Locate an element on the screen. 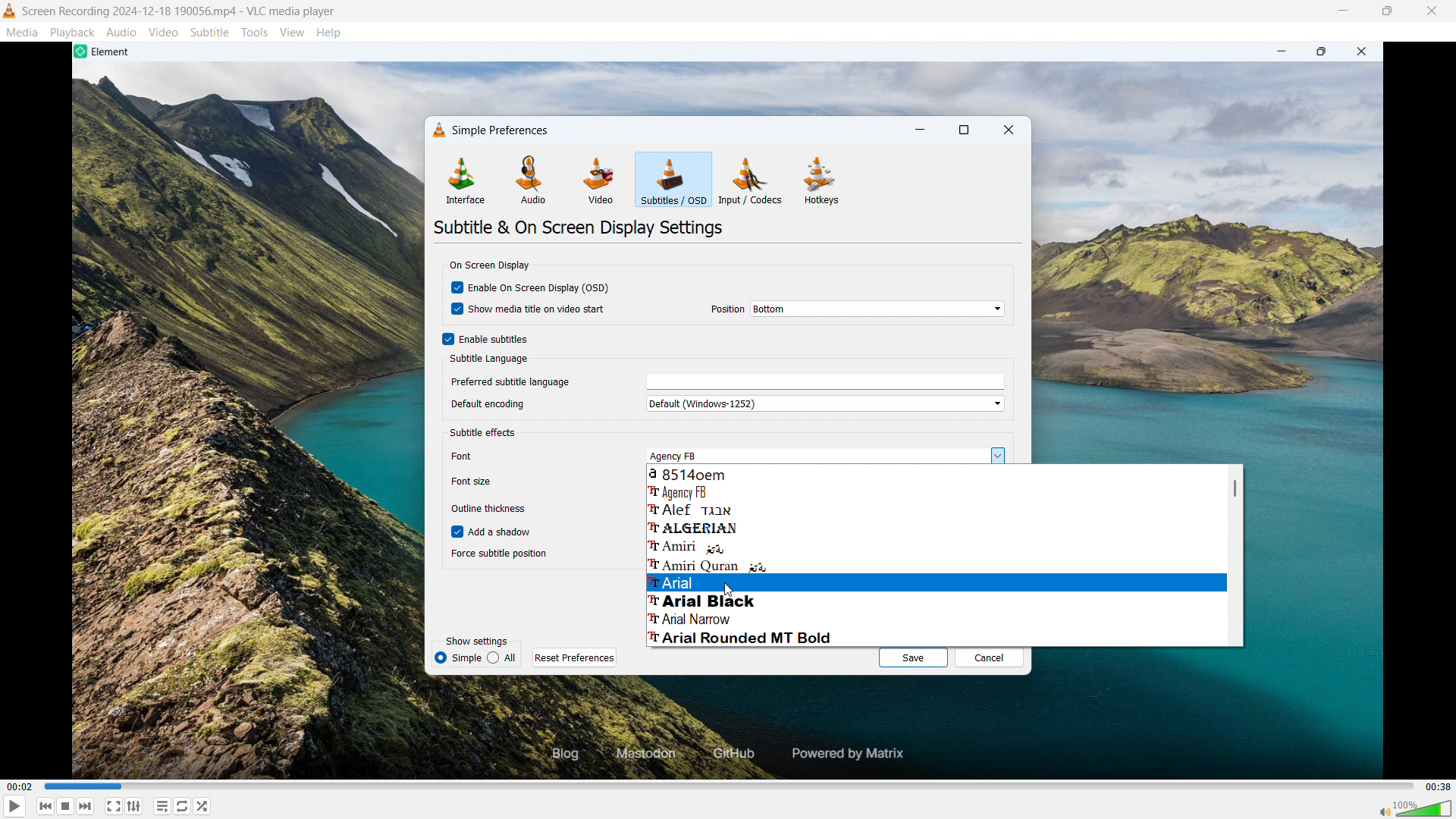  arial black is located at coordinates (935, 601).